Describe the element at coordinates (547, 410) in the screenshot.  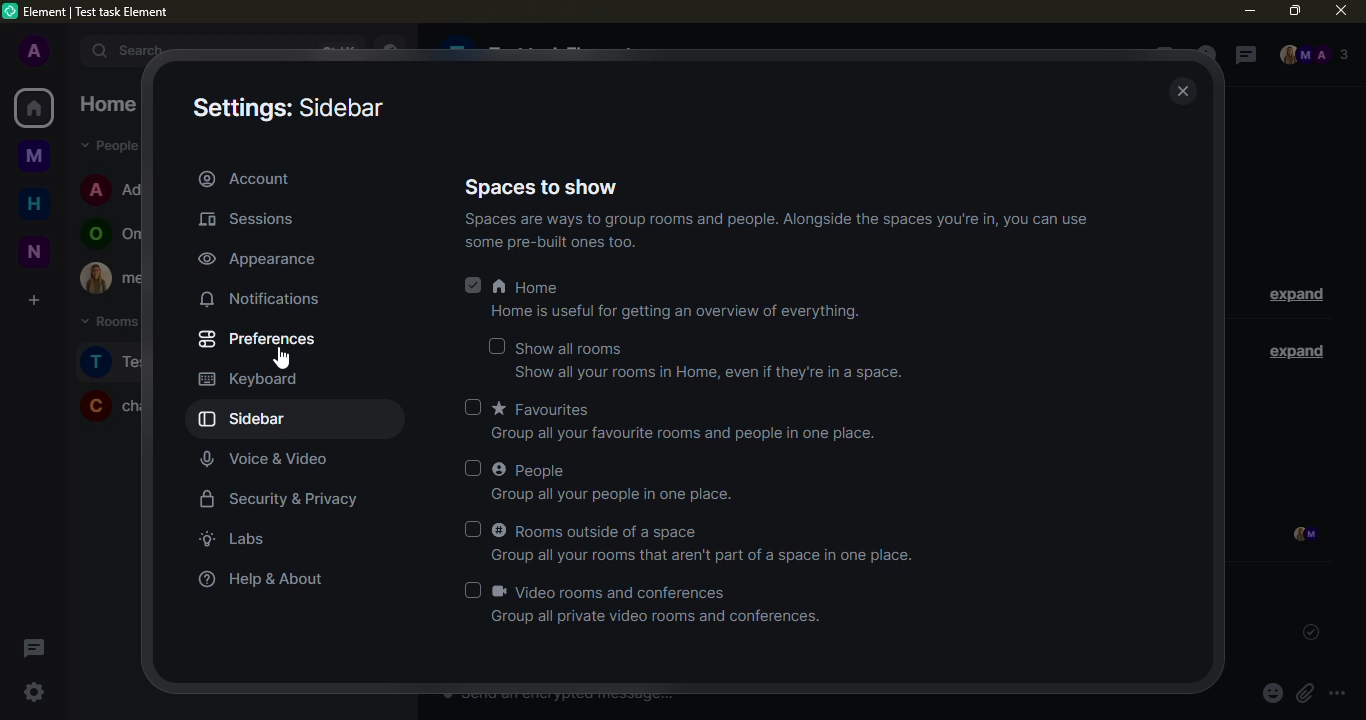
I see `favorites` at that location.